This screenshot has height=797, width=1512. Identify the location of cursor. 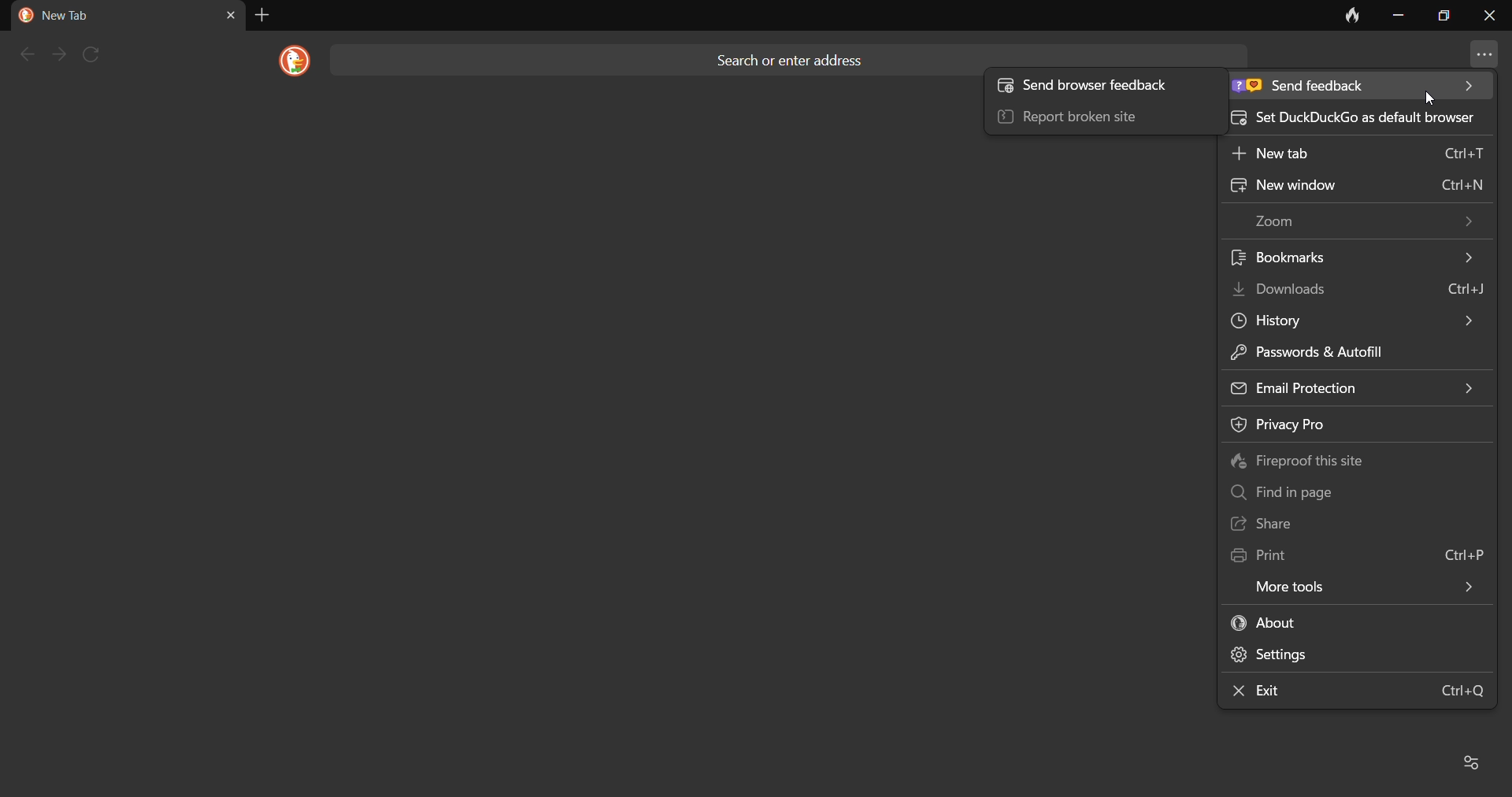
(1432, 99).